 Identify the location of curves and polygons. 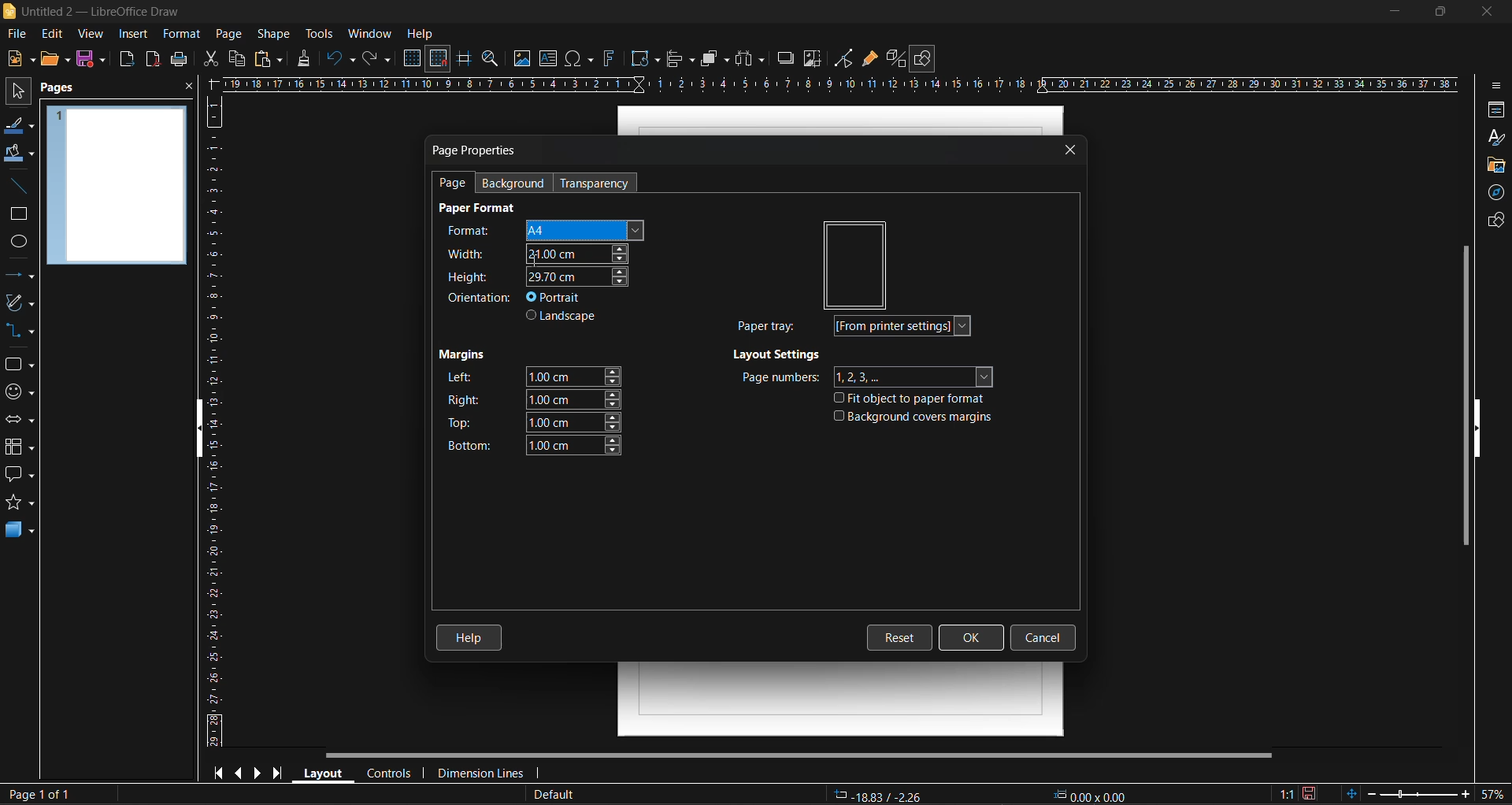
(20, 303).